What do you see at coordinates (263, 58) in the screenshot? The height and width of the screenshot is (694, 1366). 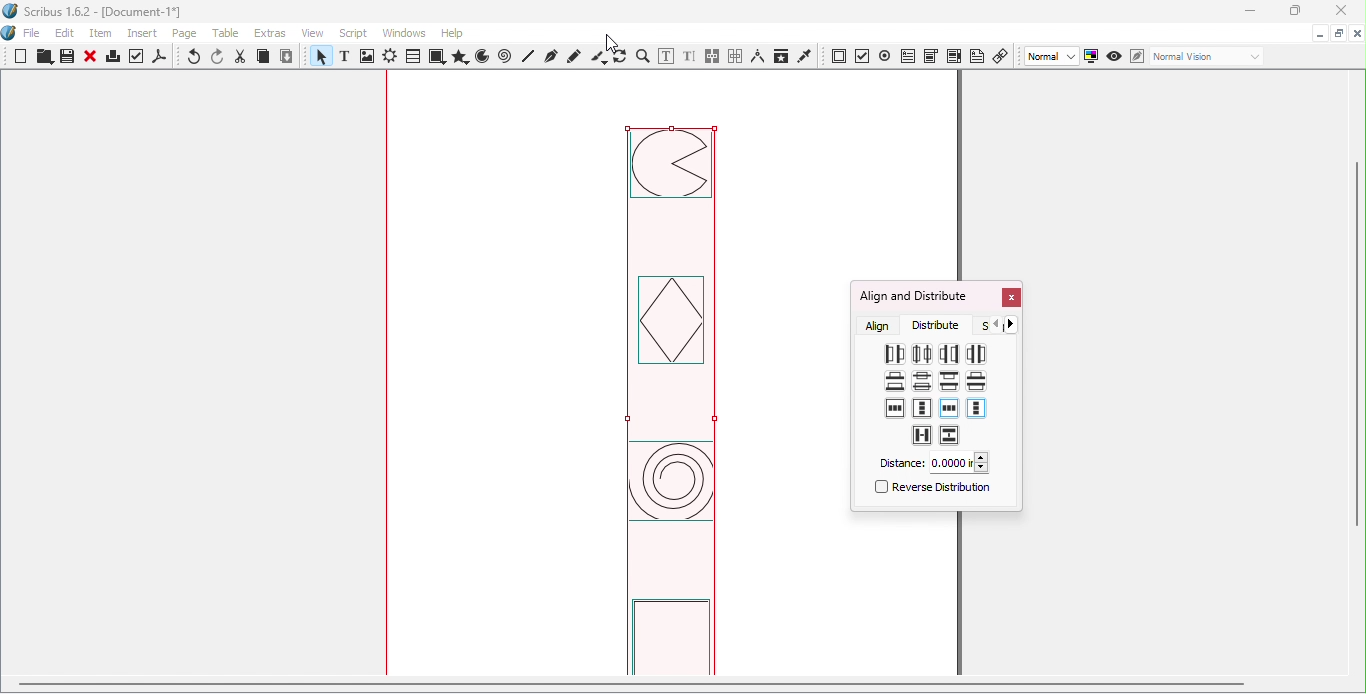 I see `Copy` at bounding box center [263, 58].